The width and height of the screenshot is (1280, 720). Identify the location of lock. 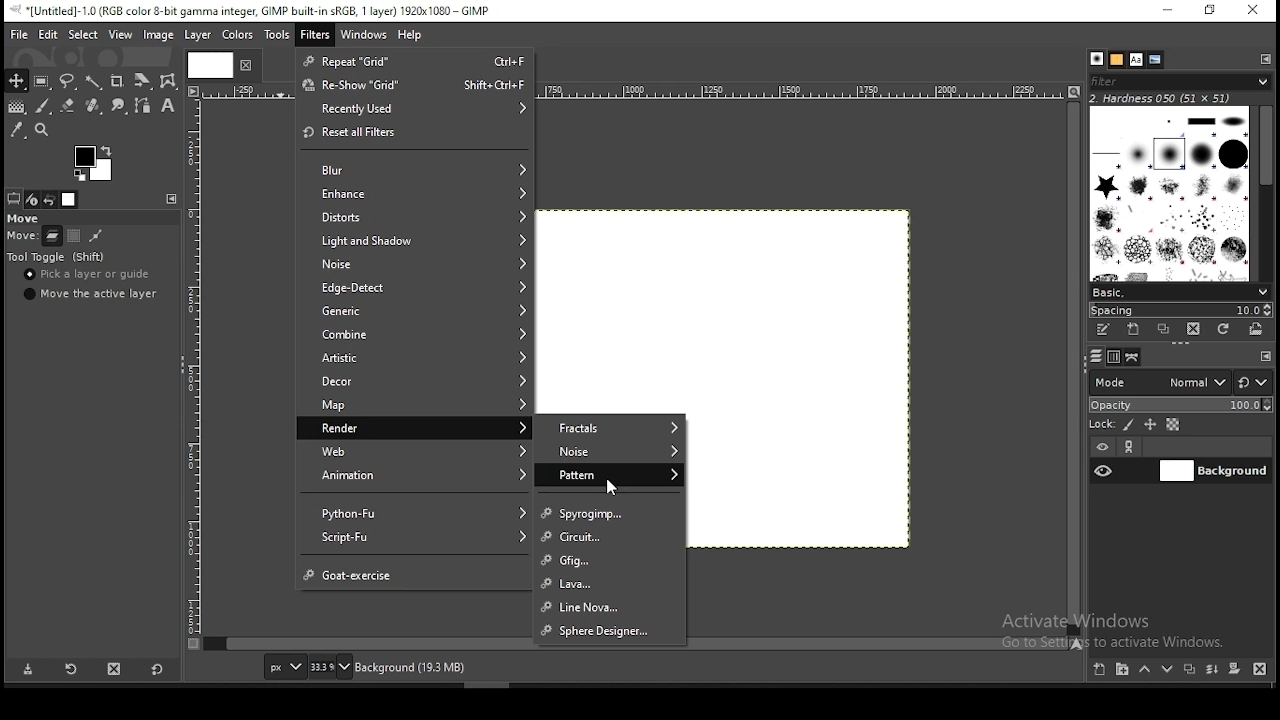
(1101, 424).